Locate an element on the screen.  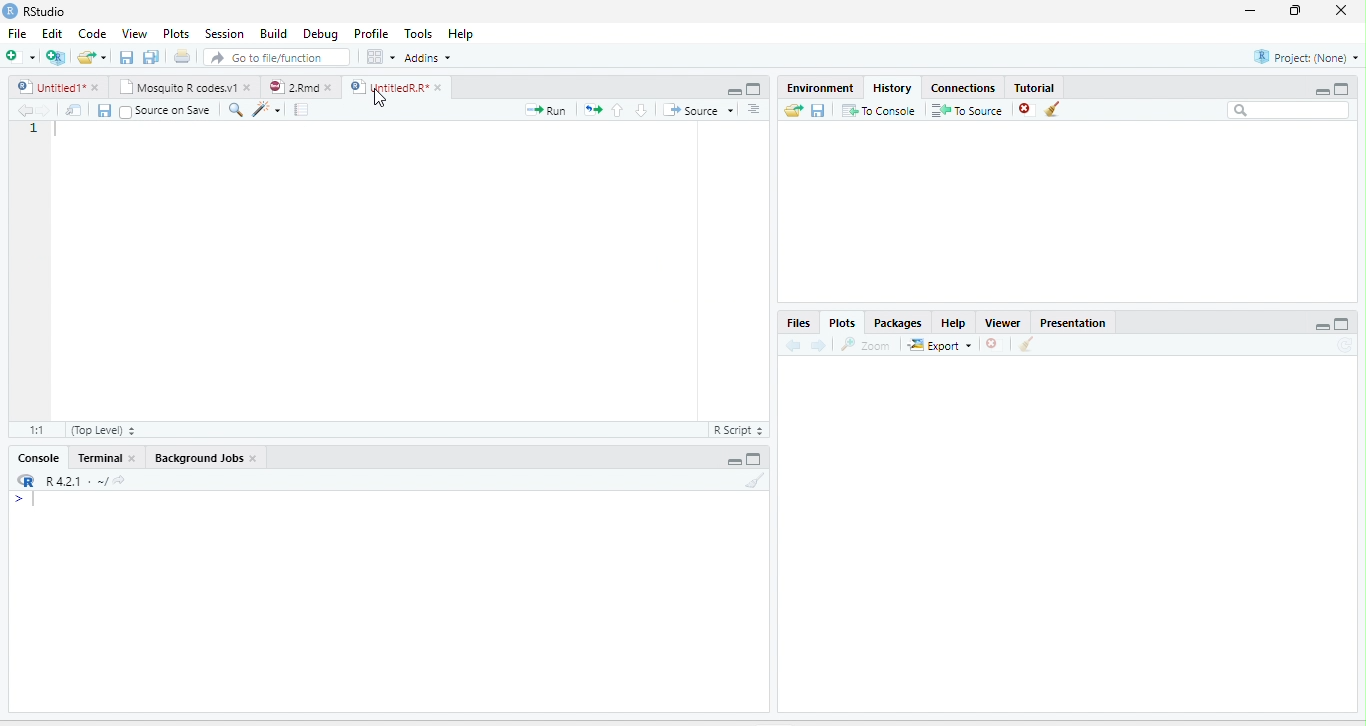
Line number is located at coordinates (34, 129).